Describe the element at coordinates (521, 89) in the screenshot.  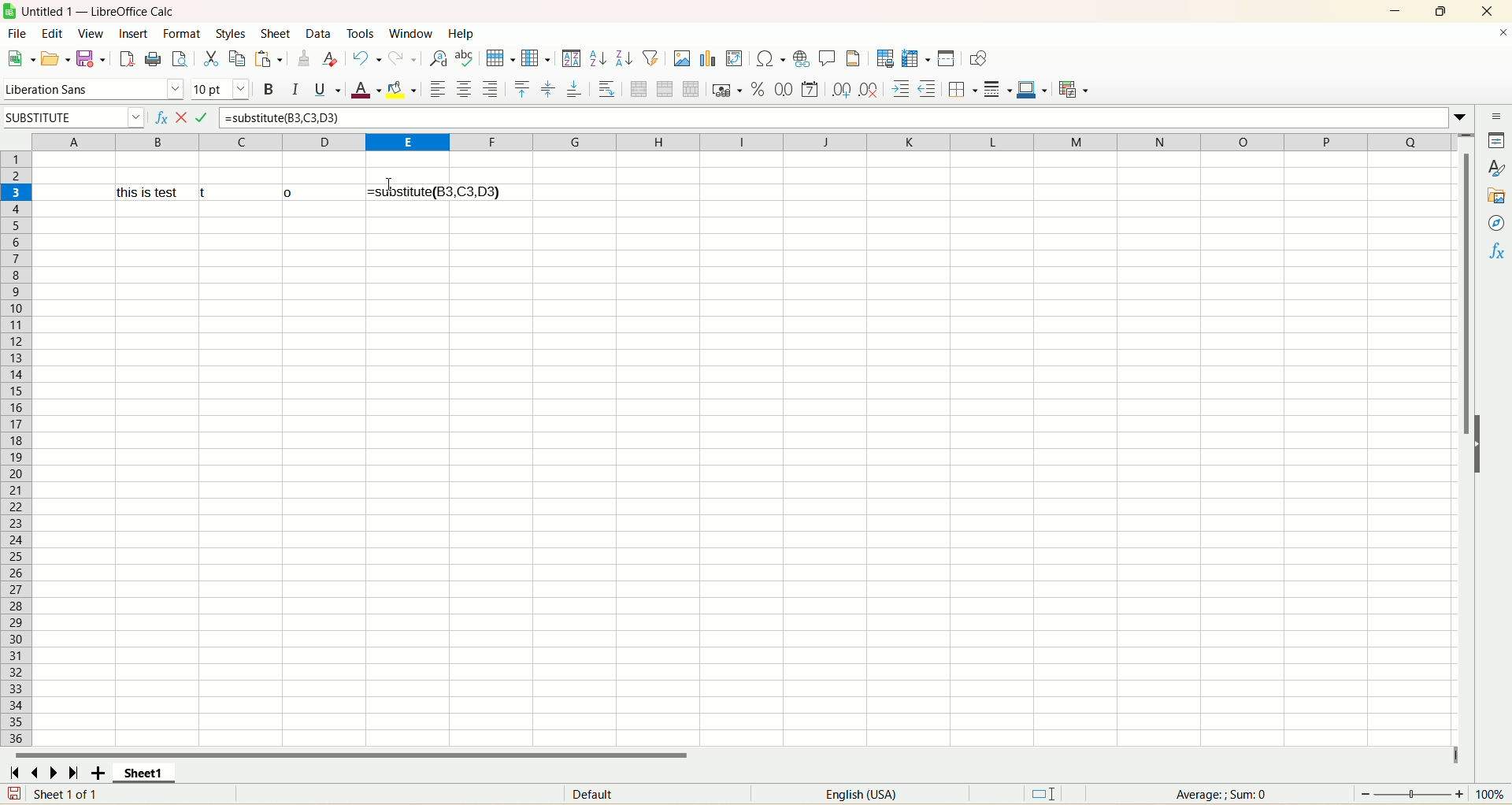
I see `align top` at that location.